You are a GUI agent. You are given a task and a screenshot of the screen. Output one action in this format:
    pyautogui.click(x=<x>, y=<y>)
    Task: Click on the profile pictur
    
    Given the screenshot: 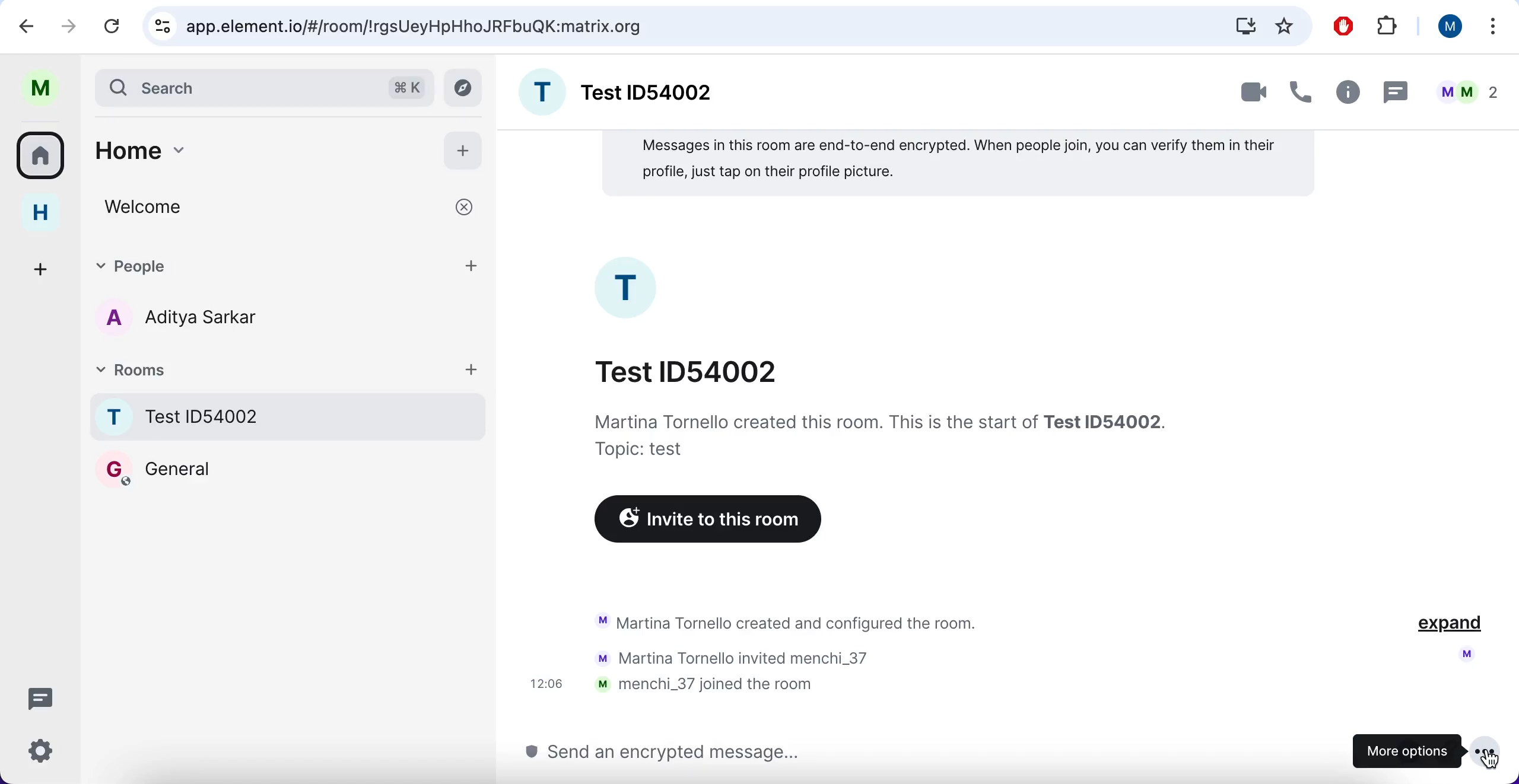 What is the action you would take?
    pyautogui.click(x=1464, y=653)
    